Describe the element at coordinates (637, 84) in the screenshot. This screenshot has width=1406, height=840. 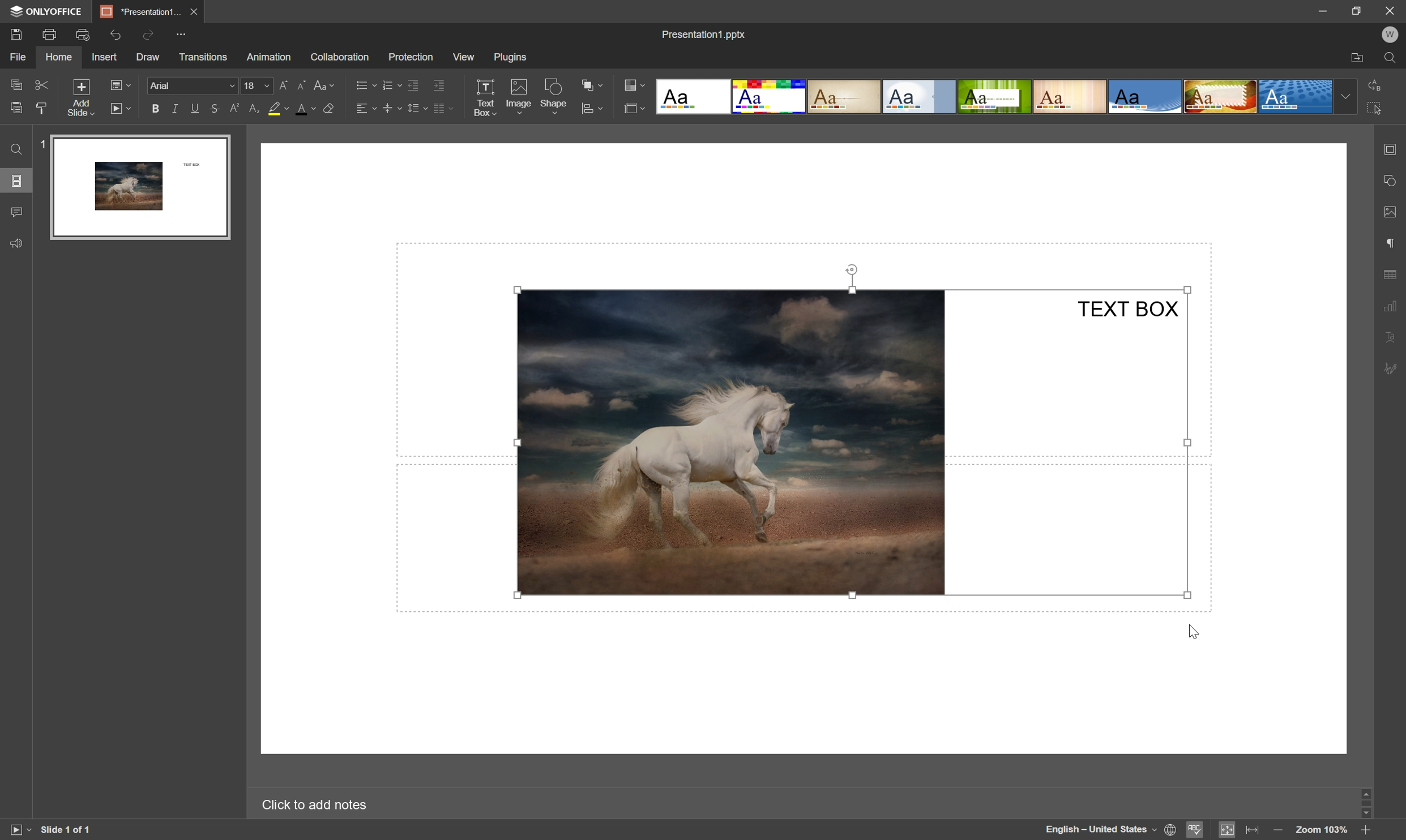
I see `change color theme` at that location.